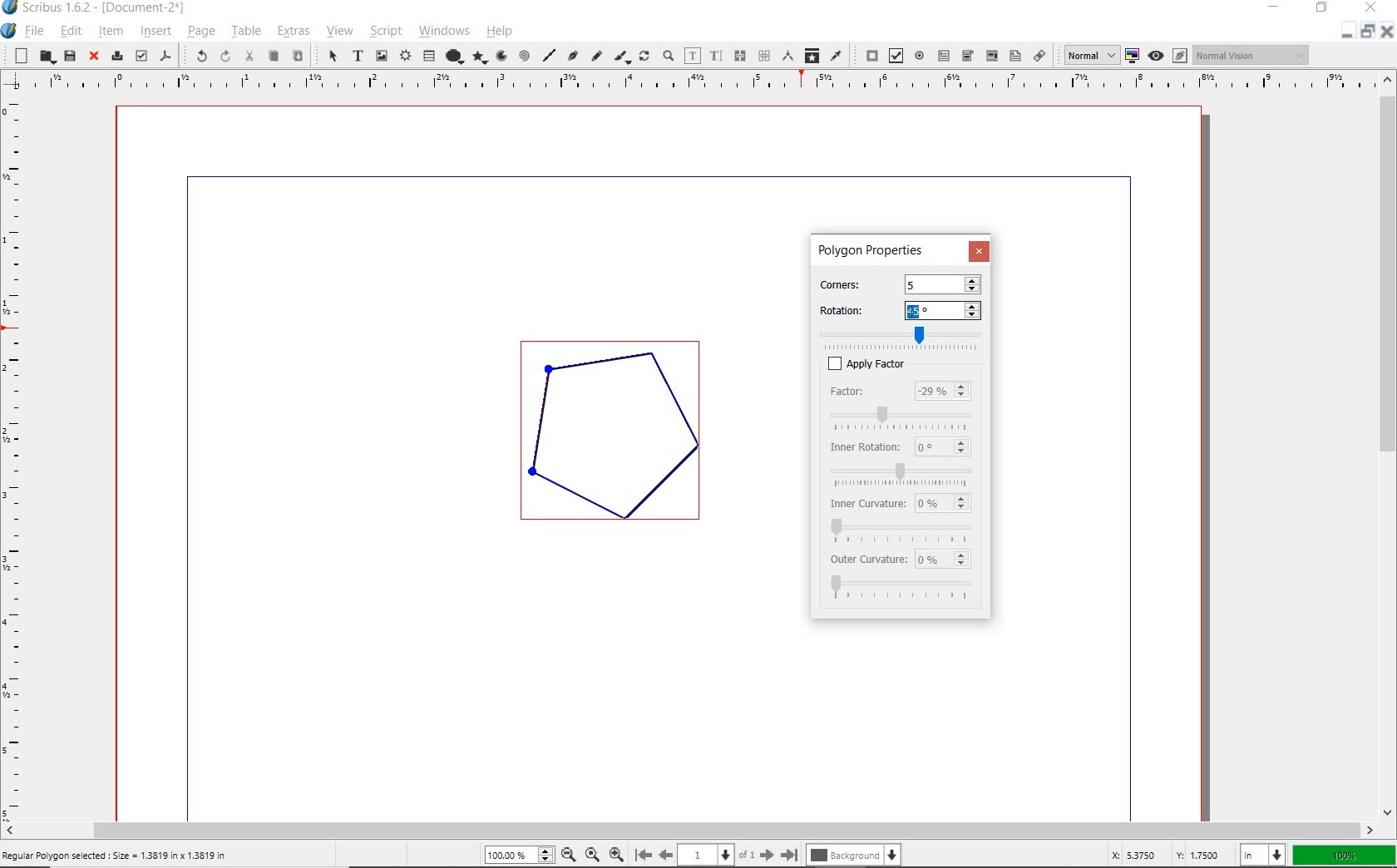 Image resolution: width=1397 pixels, height=868 pixels. Describe the element at coordinates (945, 311) in the screenshot. I see `input rotate` at that location.